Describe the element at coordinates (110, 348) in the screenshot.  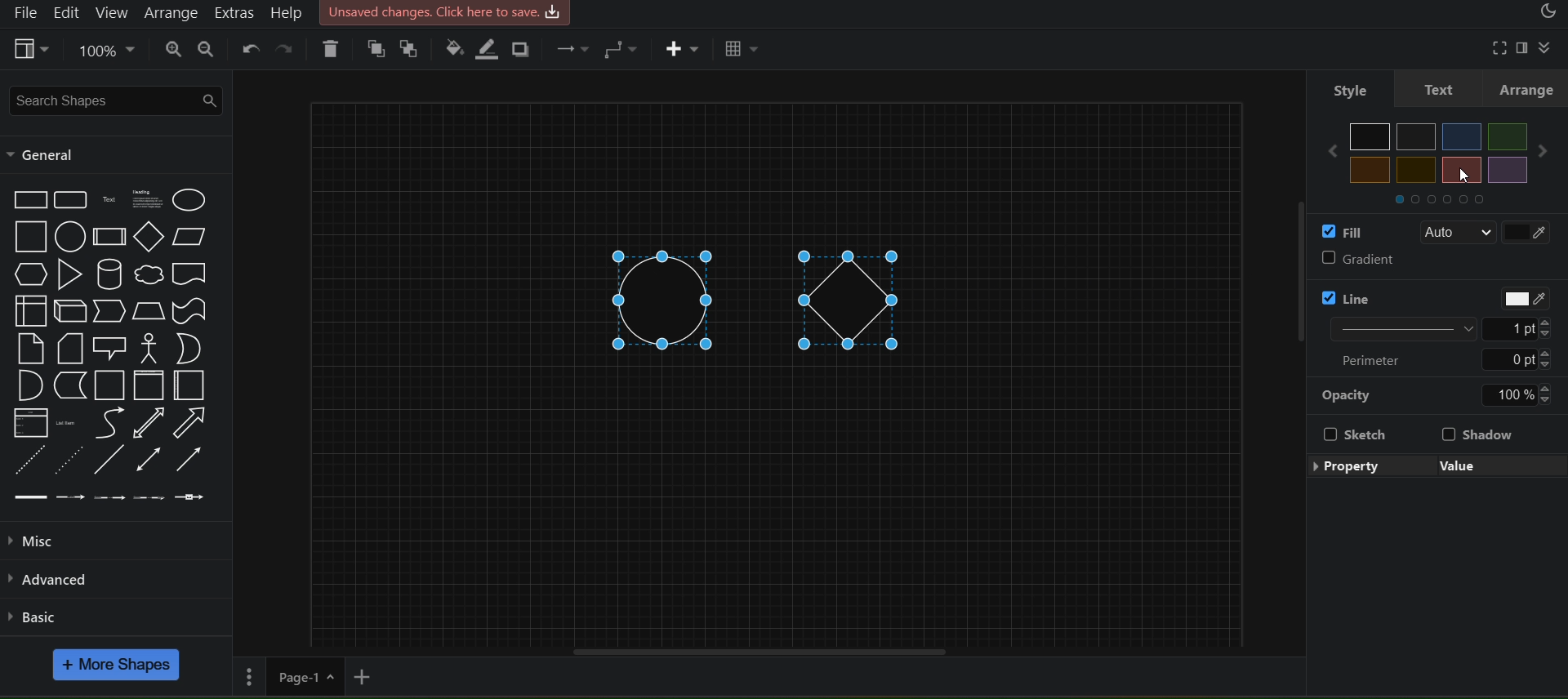
I see `Callout` at that location.